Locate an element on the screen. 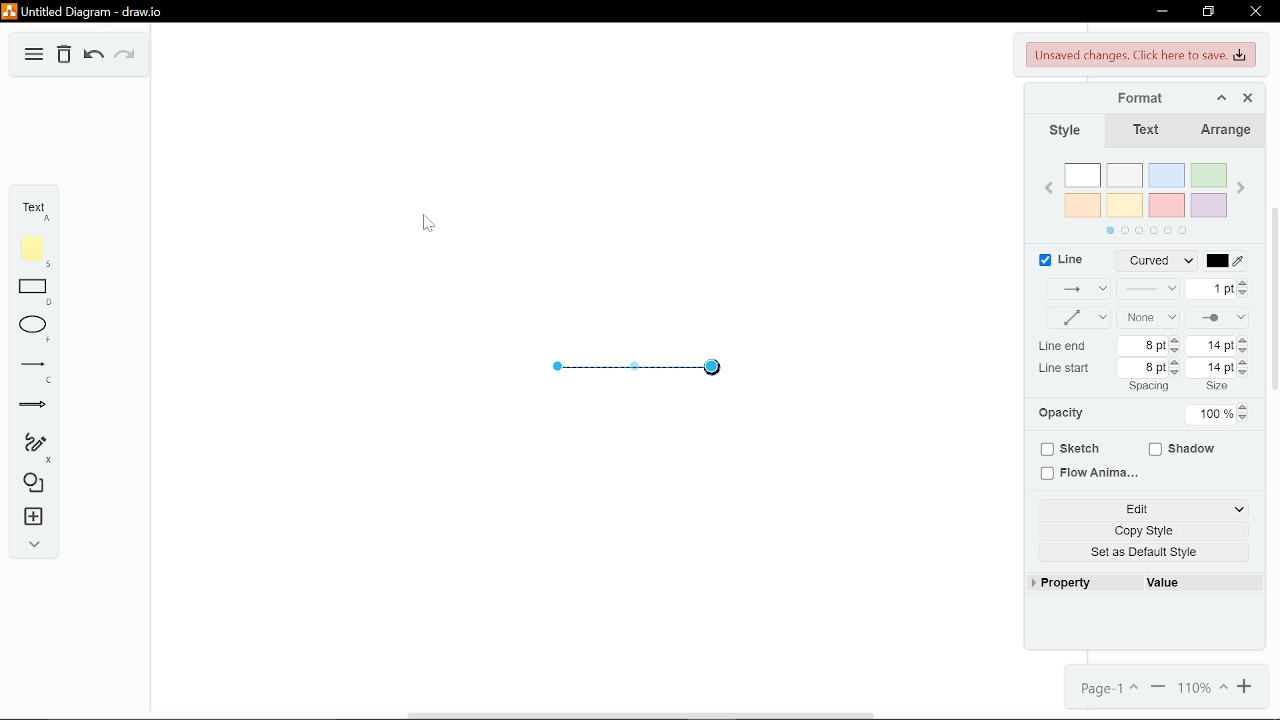  Decrease line end spacing is located at coordinates (1178, 352).